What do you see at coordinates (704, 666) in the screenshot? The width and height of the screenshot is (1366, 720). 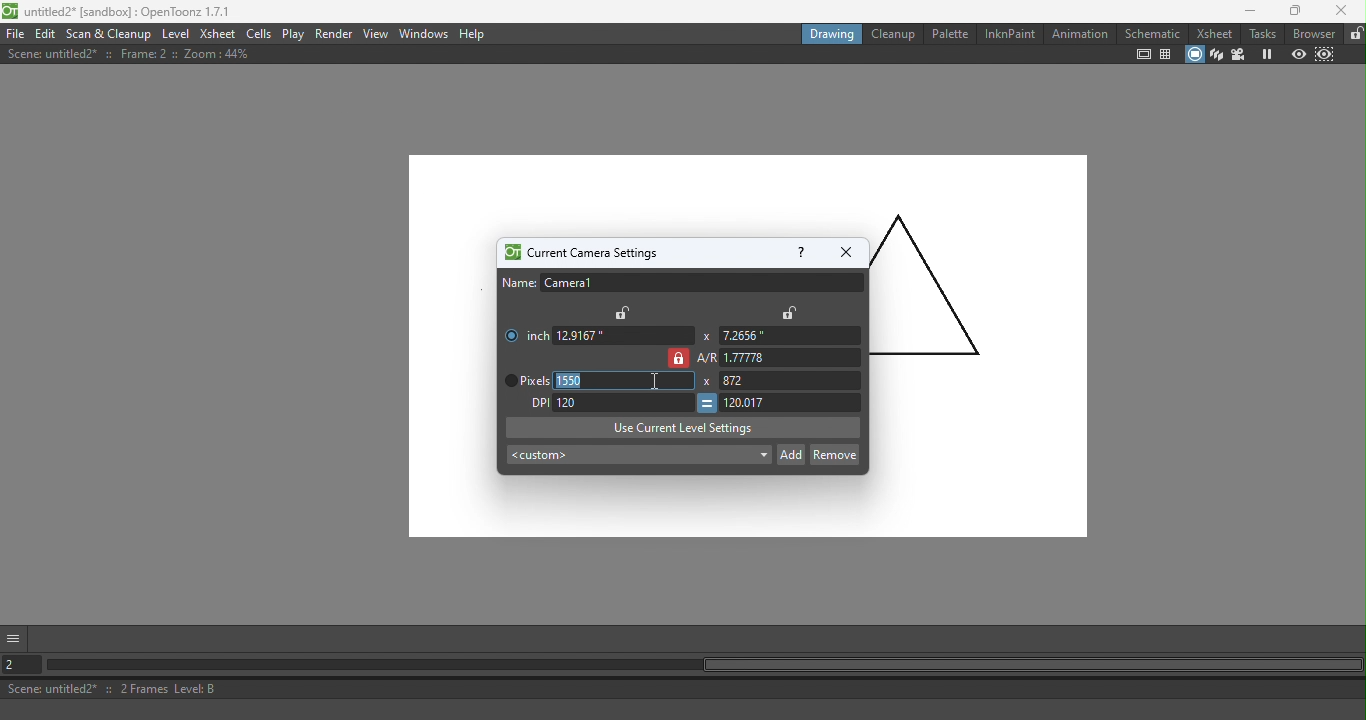 I see `Horizontal scroll bar` at bounding box center [704, 666].